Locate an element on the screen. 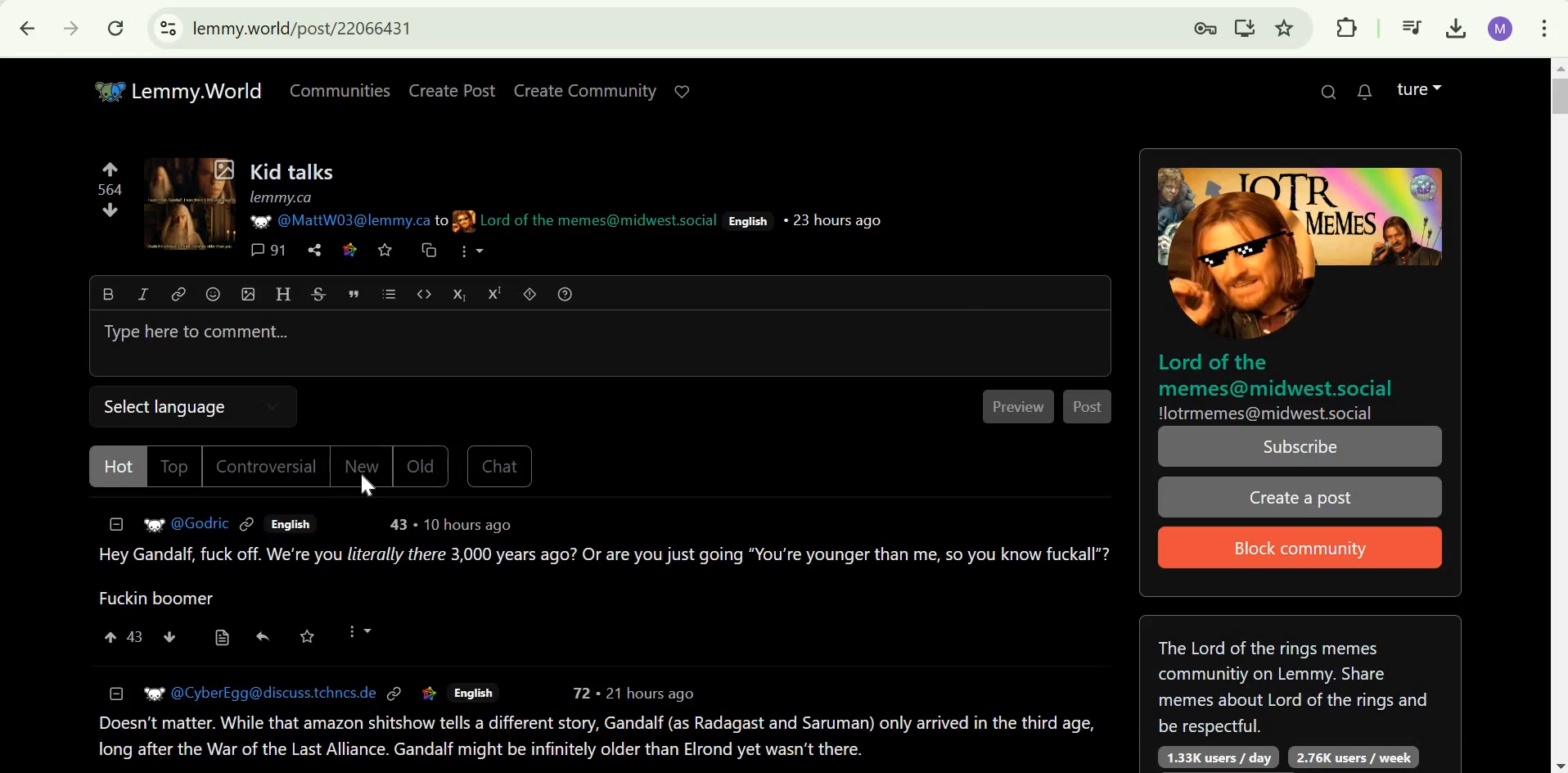  Lemmy.World is located at coordinates (178, 91).